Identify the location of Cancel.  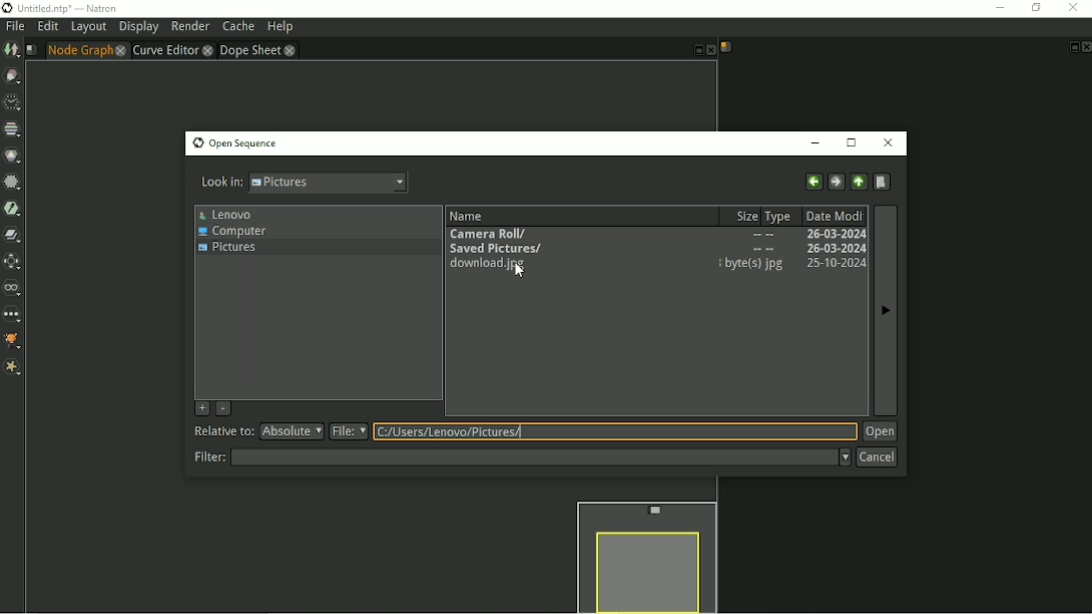
(876, 457).